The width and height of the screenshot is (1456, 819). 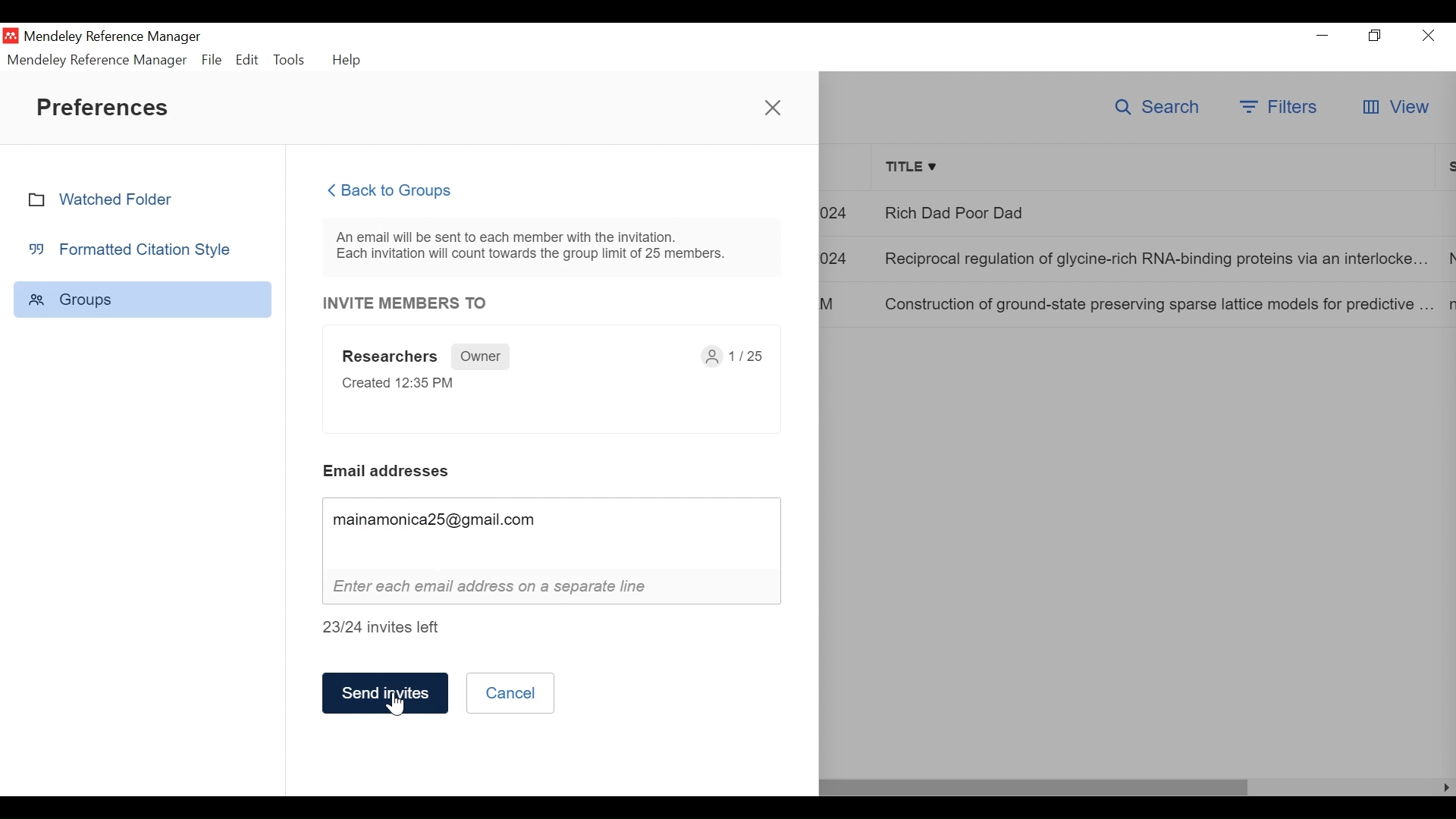 I want to click on Tools, so click(x=290, y=60).